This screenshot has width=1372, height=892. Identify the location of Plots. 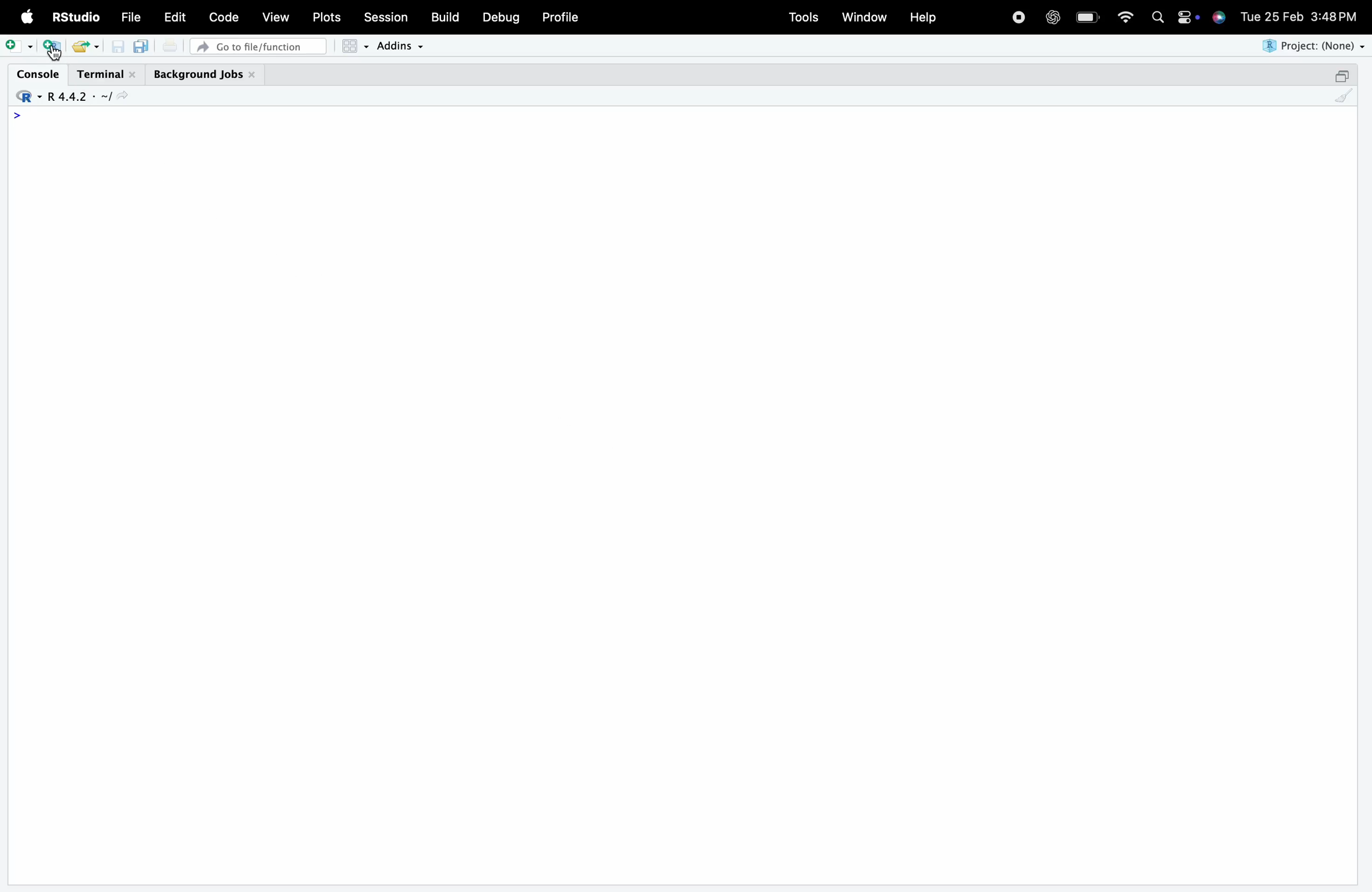
(325, 17).